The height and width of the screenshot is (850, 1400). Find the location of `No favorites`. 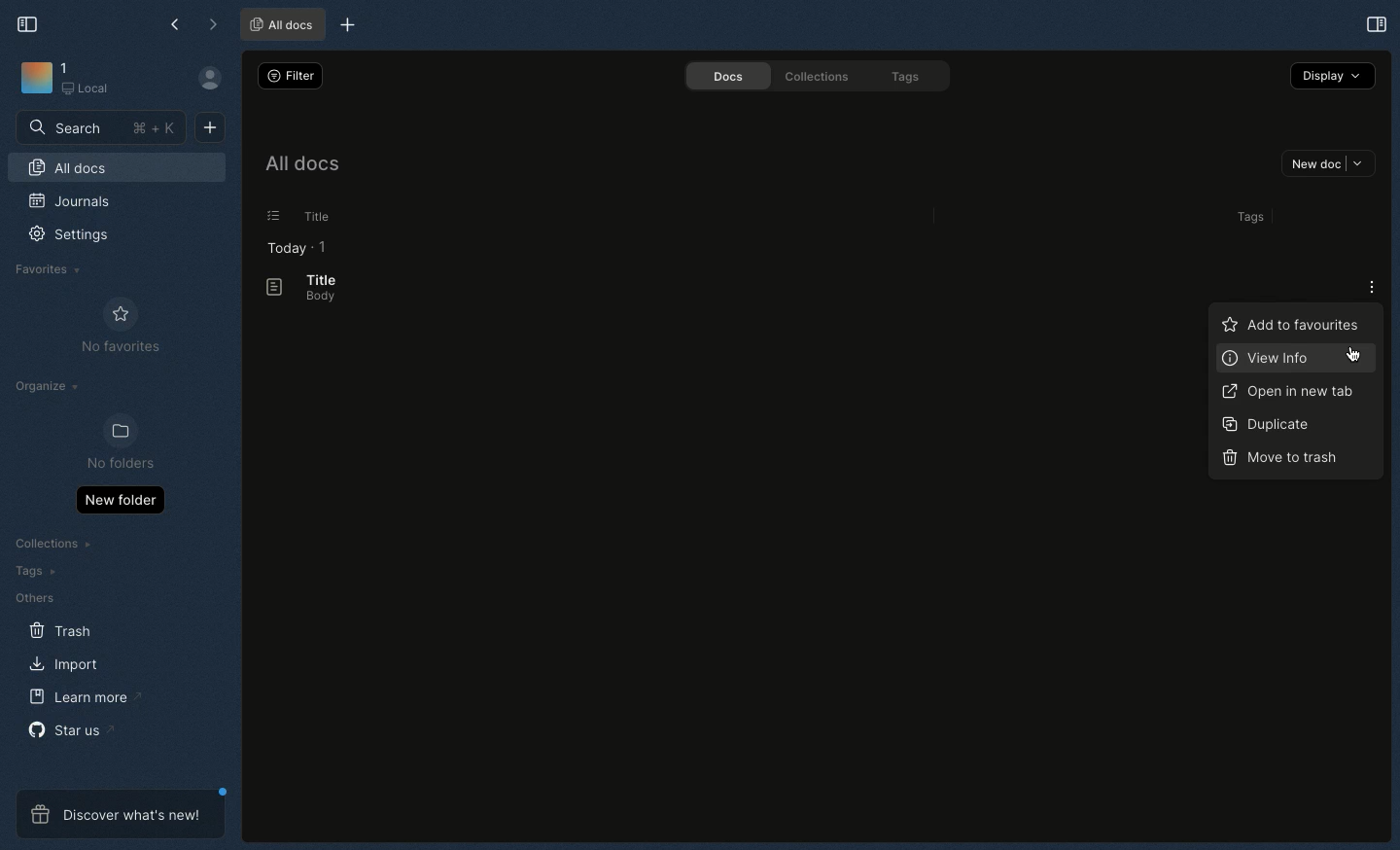

No favorites is located at coordinates (121, 326).